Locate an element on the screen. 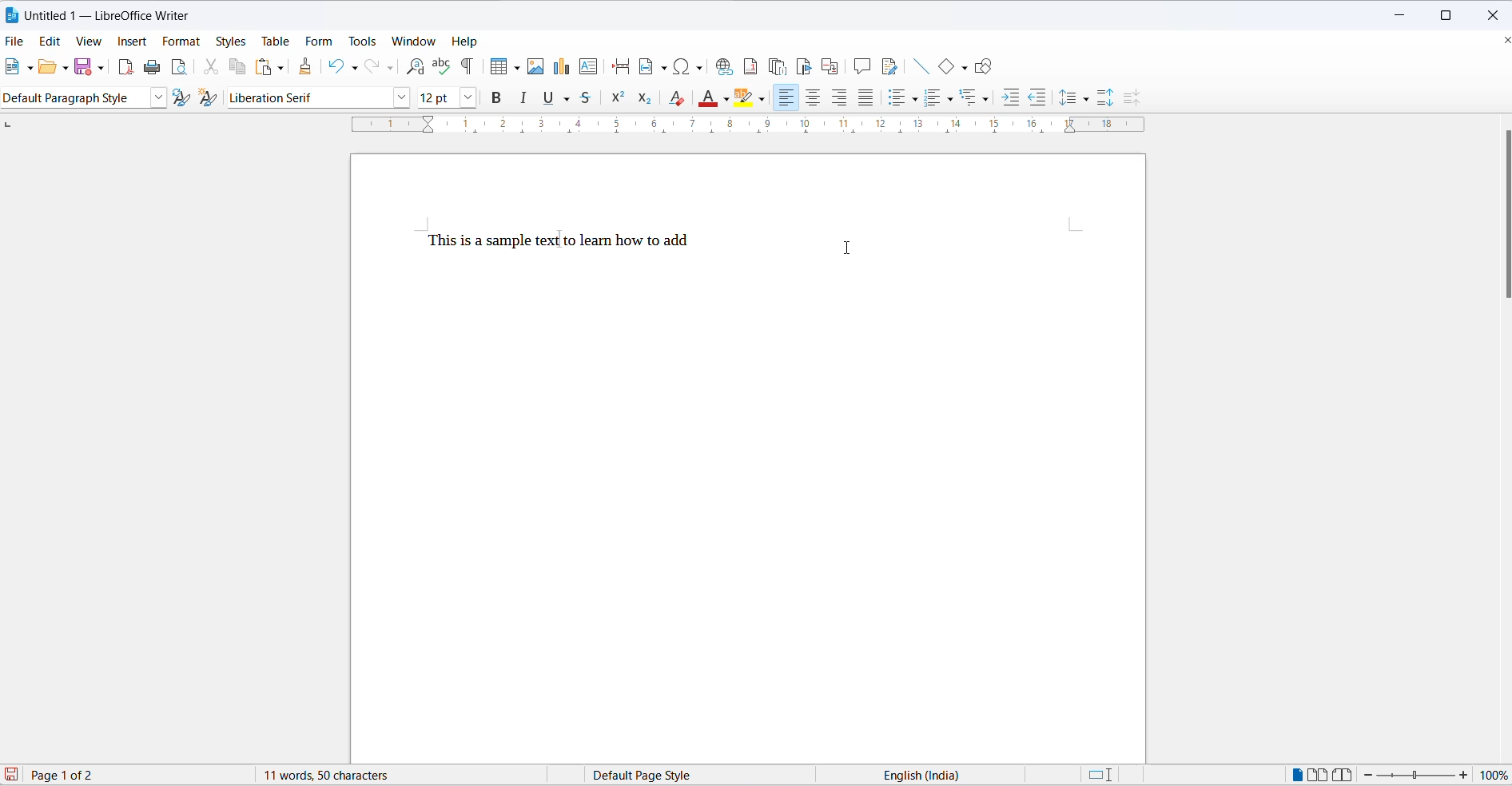 The image size is (1512, 786). open options is located at coordinates (66, 68).